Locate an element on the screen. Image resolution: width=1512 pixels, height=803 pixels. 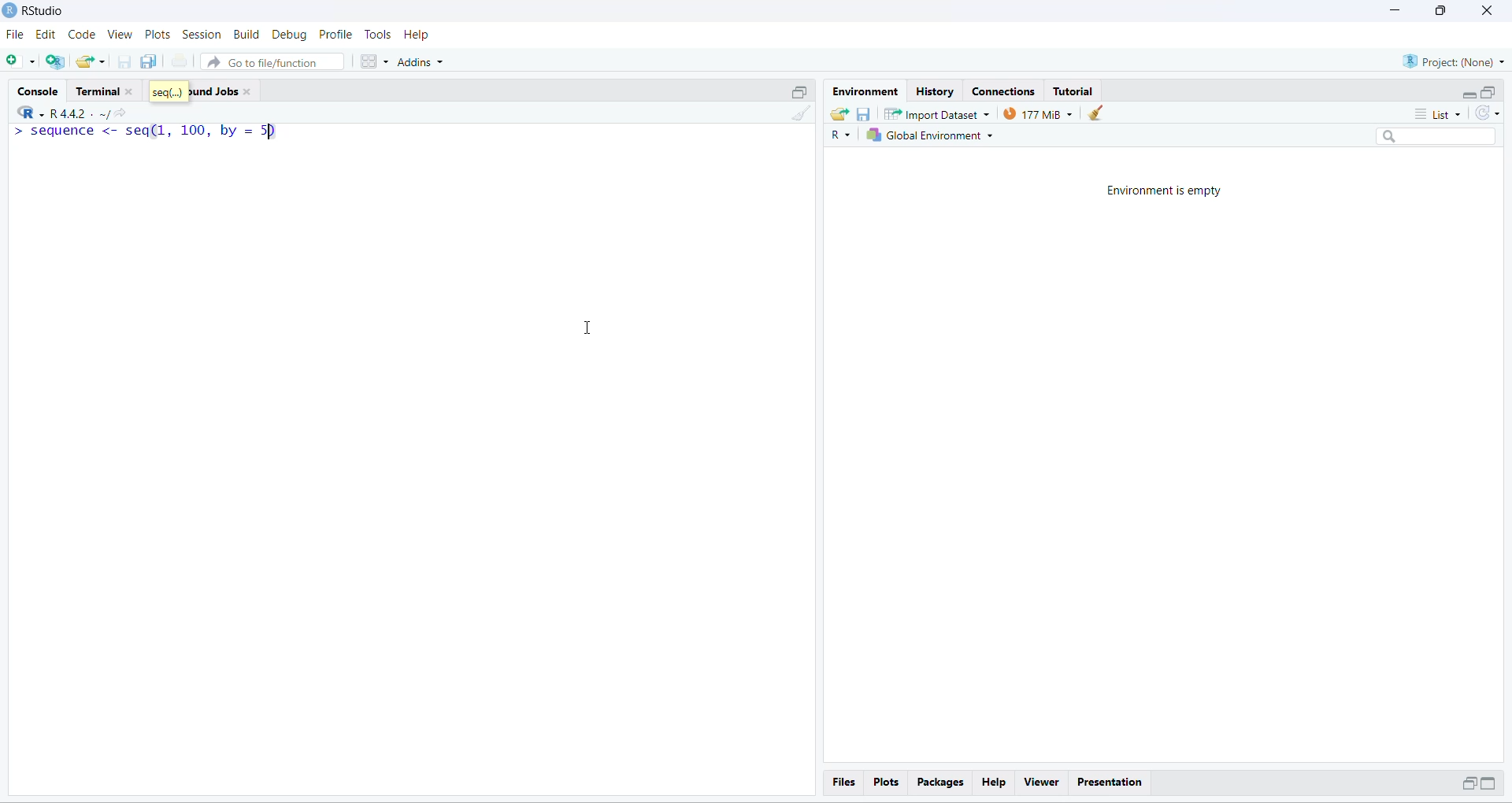
seq(...) is located at coordinates (169, 91).